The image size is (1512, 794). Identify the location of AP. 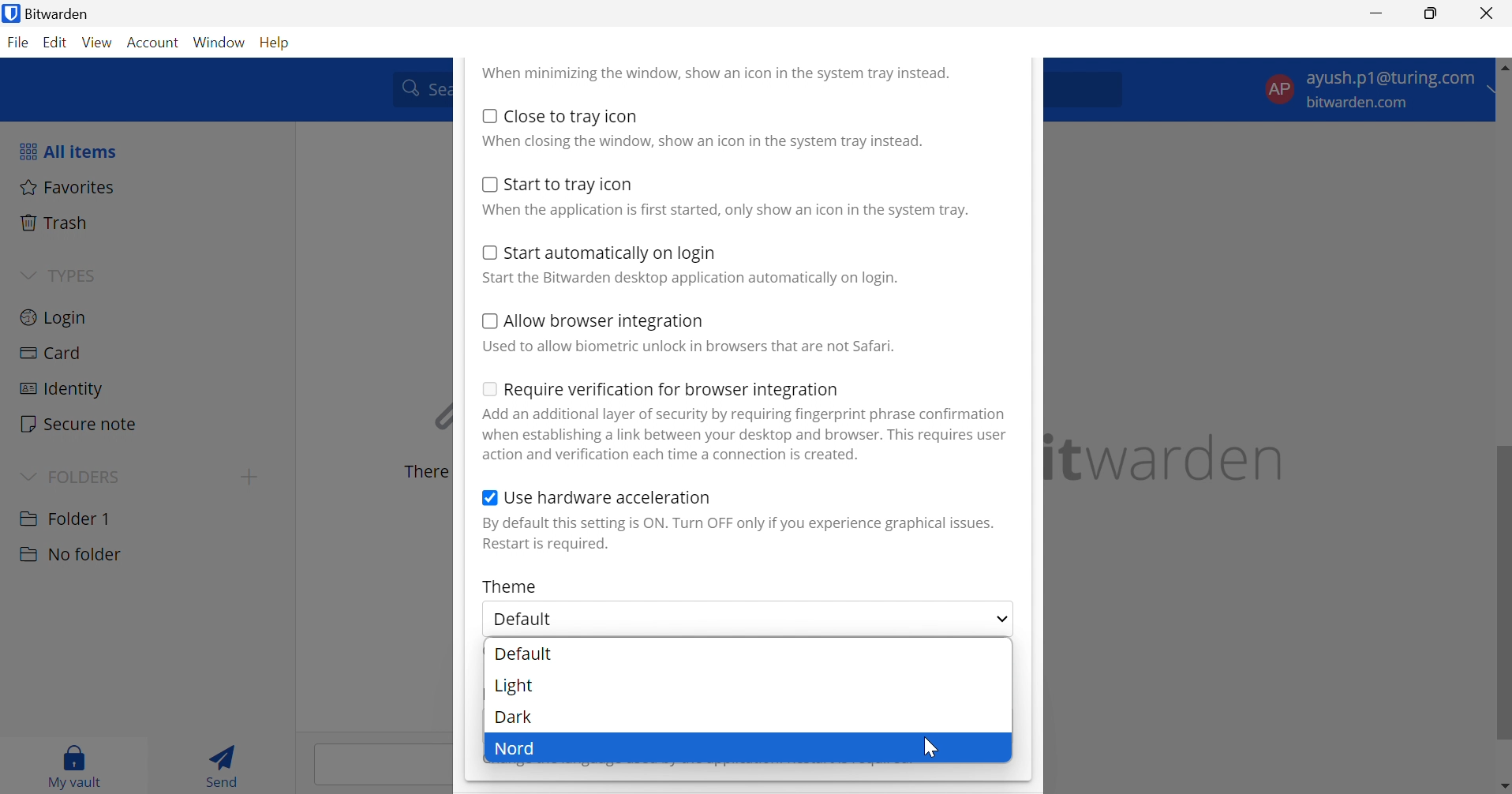
(1278, 88).